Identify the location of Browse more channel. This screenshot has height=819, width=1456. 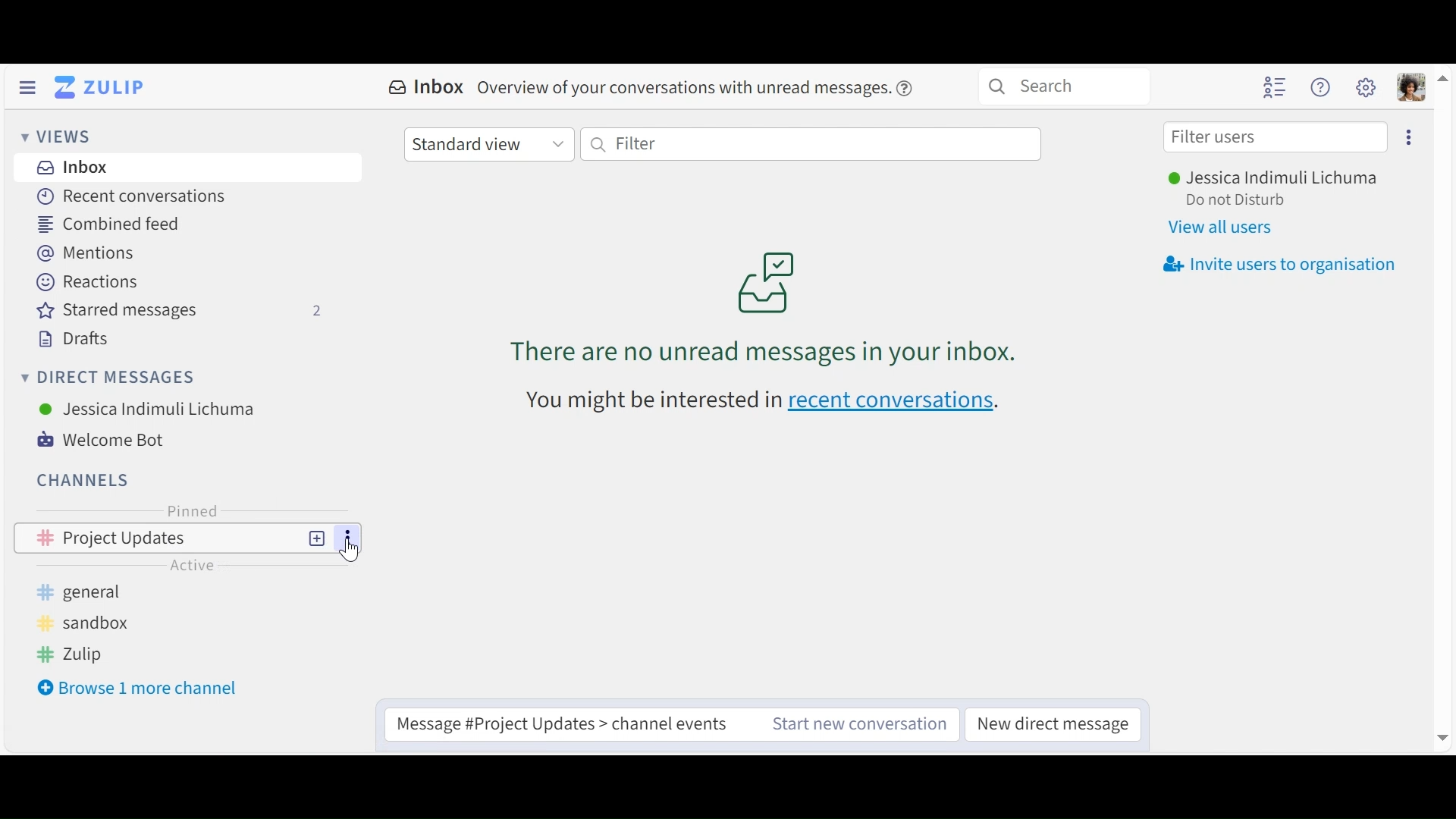
(140, 687).